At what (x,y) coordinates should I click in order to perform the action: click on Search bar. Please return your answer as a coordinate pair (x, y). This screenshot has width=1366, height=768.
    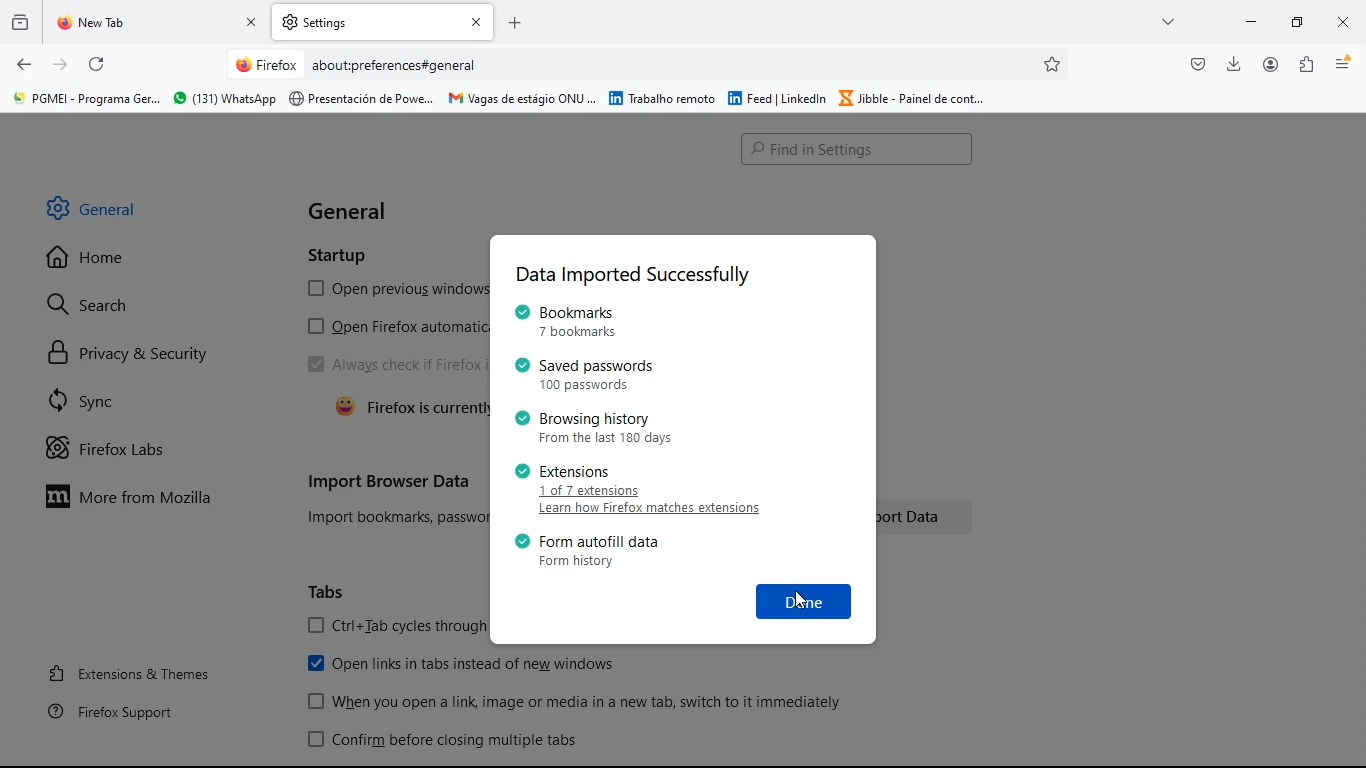
    Looking at the image, I should click on (859, 149).